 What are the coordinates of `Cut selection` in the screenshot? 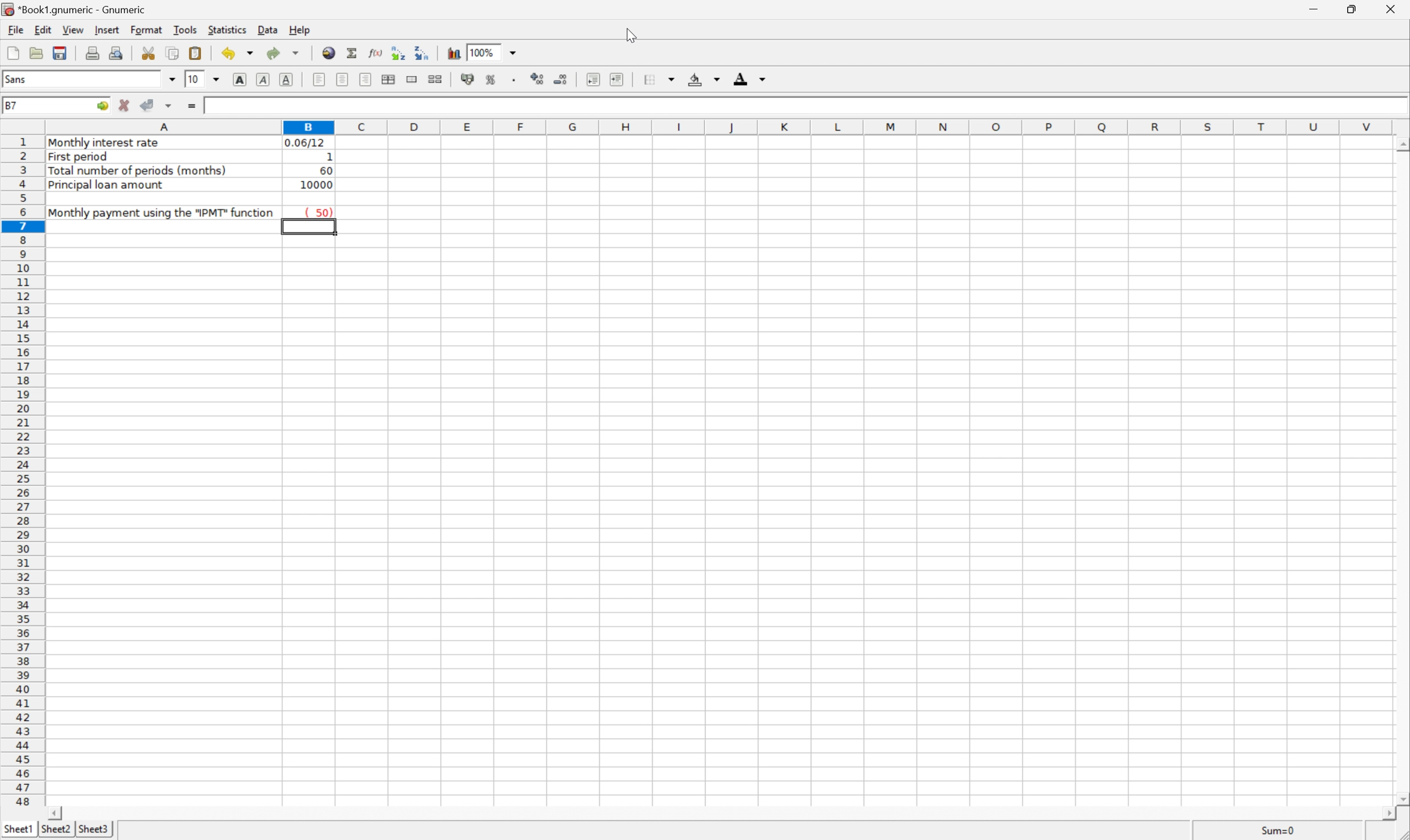 It's located at (148, 52).